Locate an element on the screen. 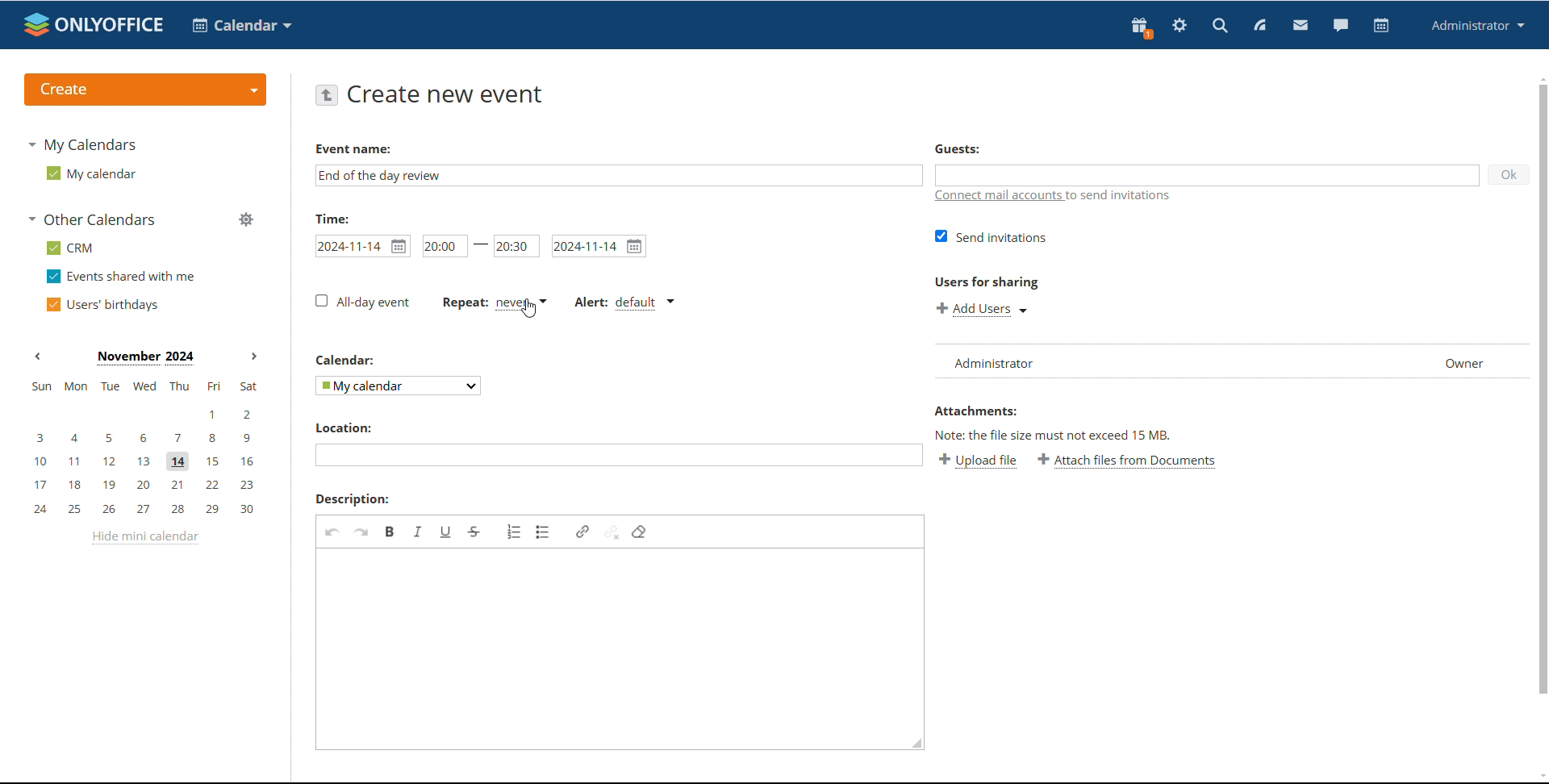 Image resolution: width=1549 pixels, height=784 pixels. location is located at coordinates (342, 427).